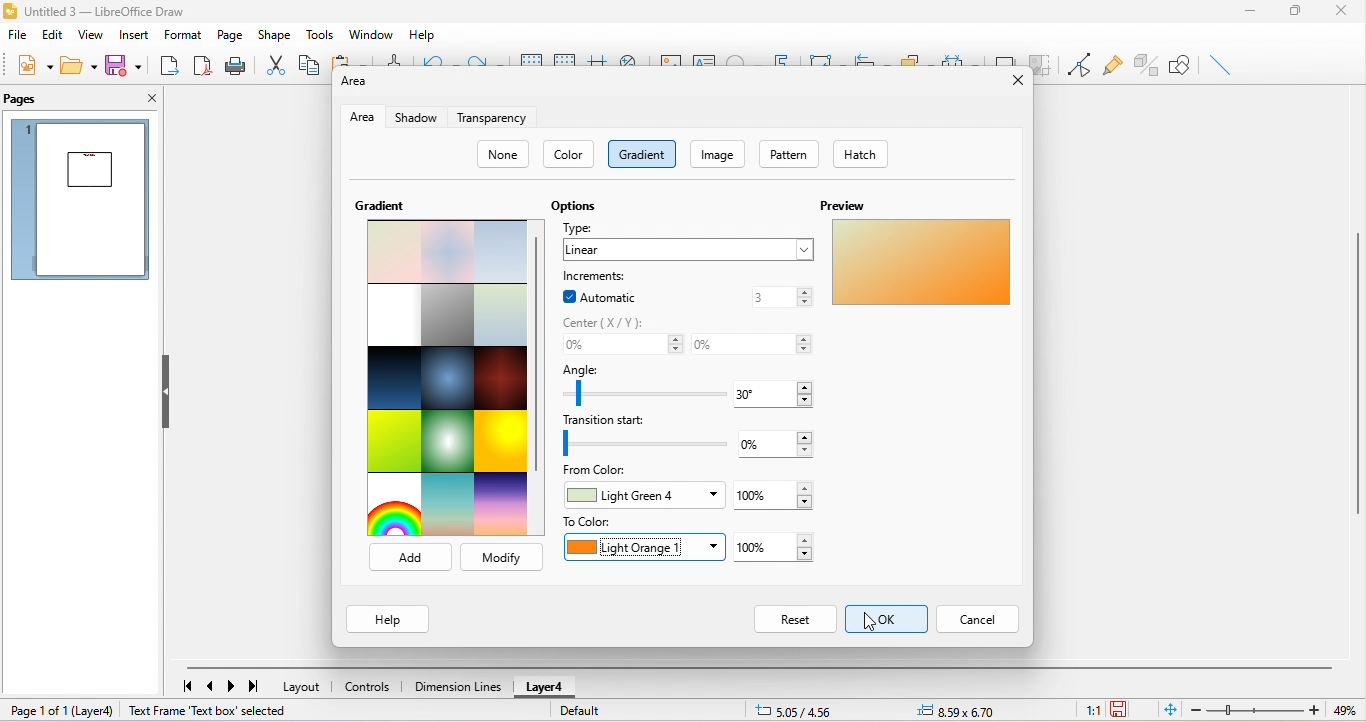 Image resolution: width=1366 pixels, height=722 pixels. Describe the element at coordinates (1016, 83) in the screenshot. I see `close` at that location.